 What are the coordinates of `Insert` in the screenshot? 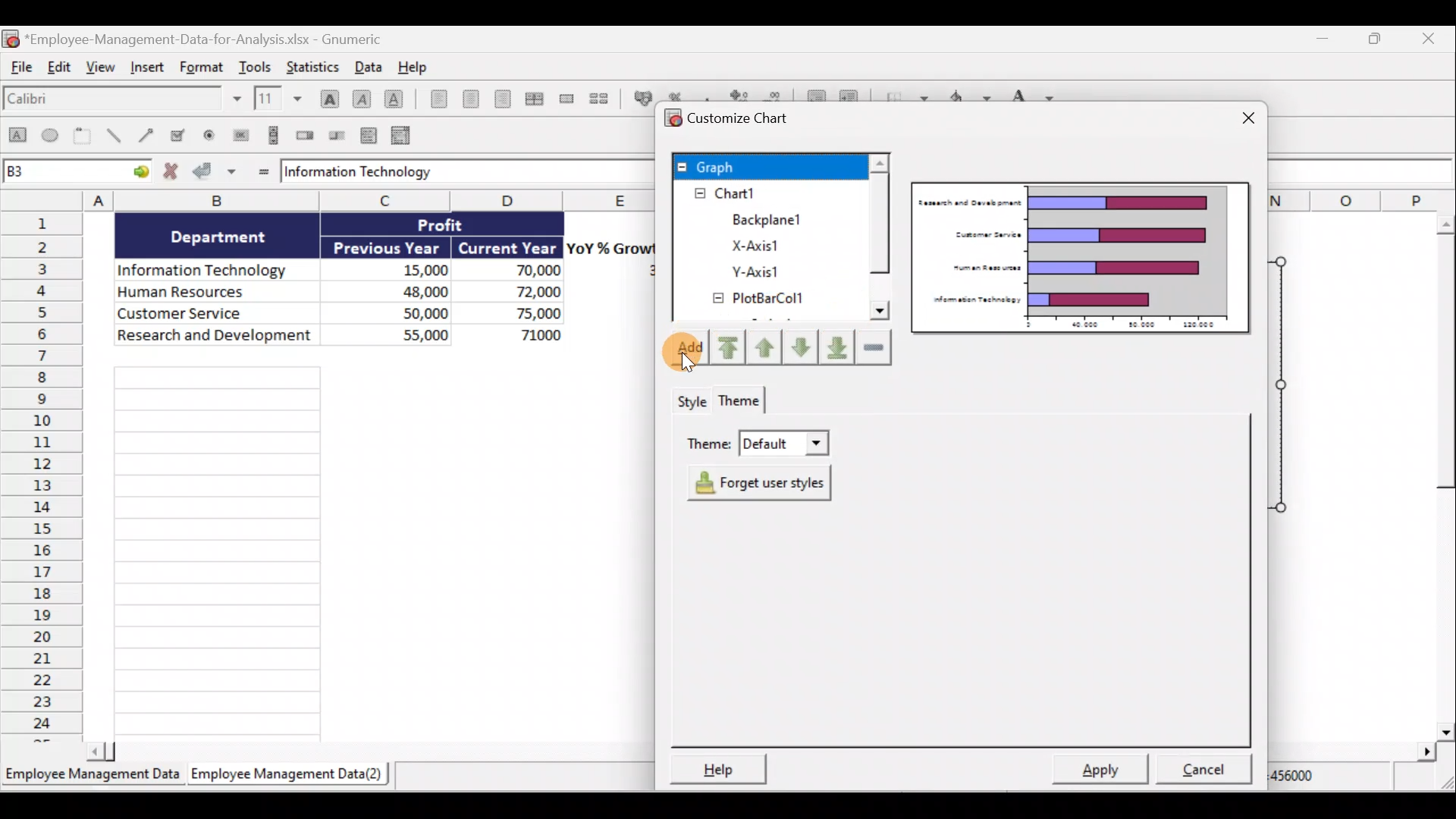 It's located at (152, 68).